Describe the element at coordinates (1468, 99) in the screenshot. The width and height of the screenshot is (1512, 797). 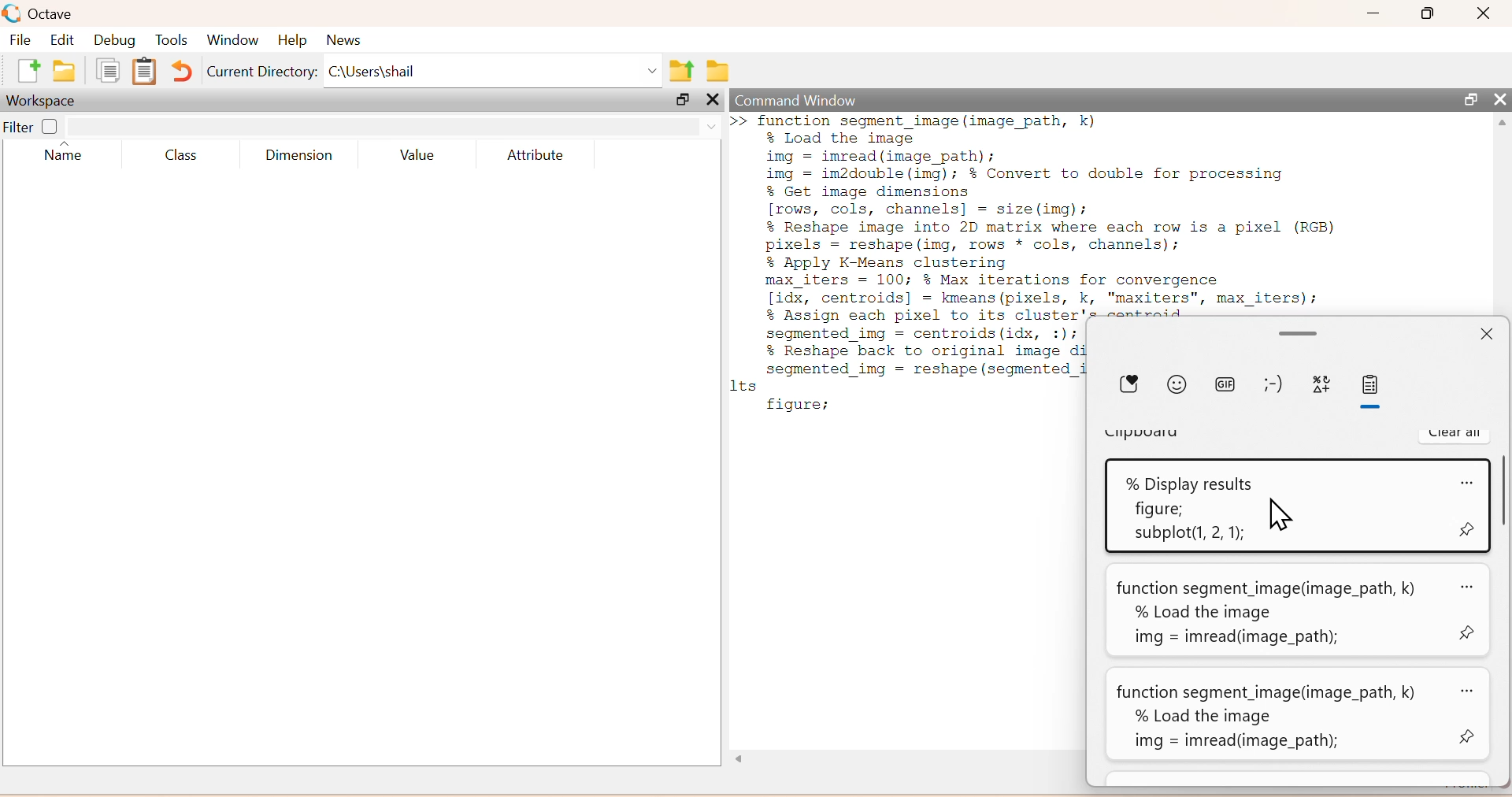
I see `Maximize` at that location.